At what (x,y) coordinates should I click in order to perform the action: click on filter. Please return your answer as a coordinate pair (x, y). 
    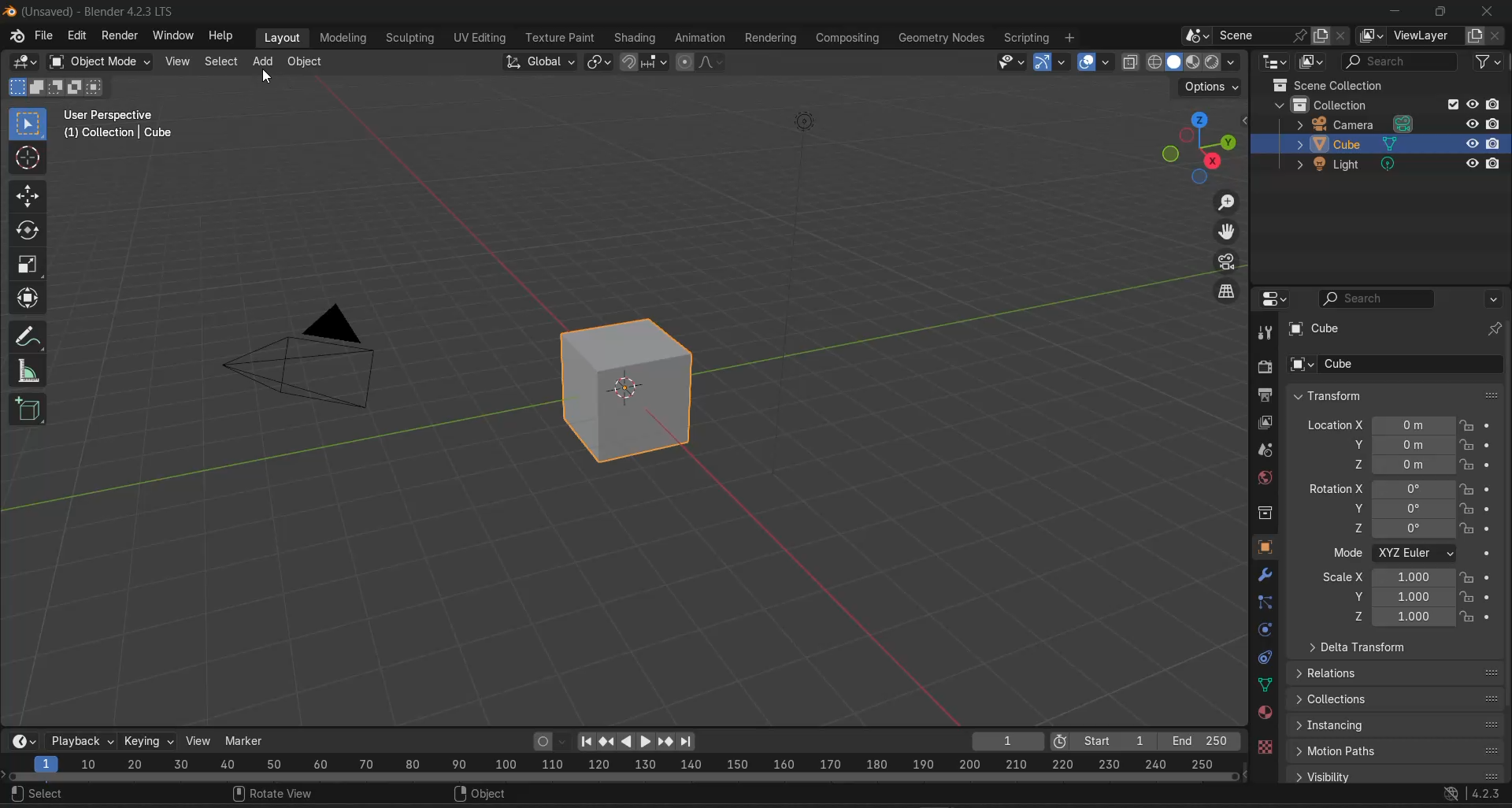
    Looking at the image, I should click on (1488, 65).